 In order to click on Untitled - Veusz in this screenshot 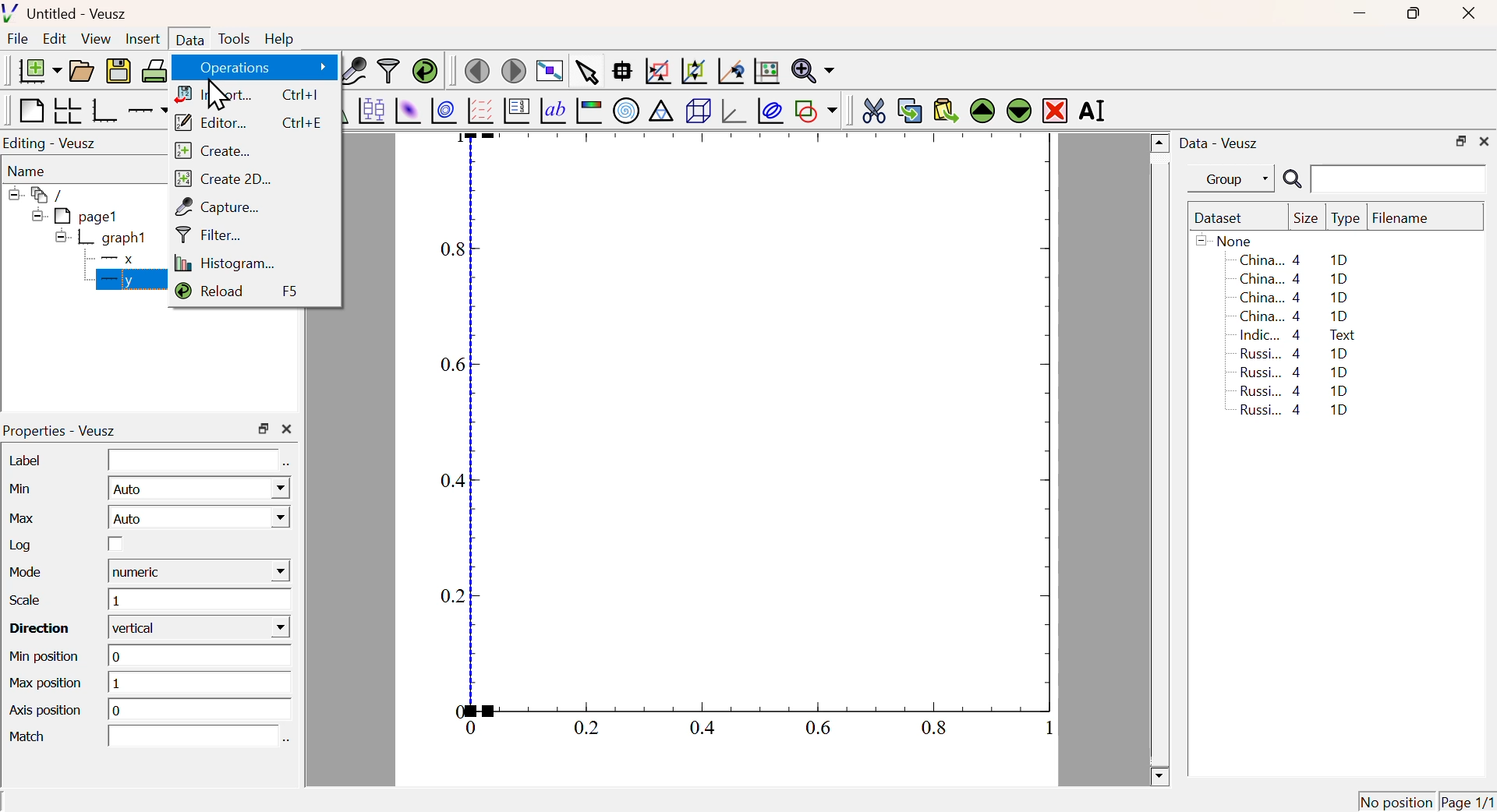, I will do `click(69, 15)`.